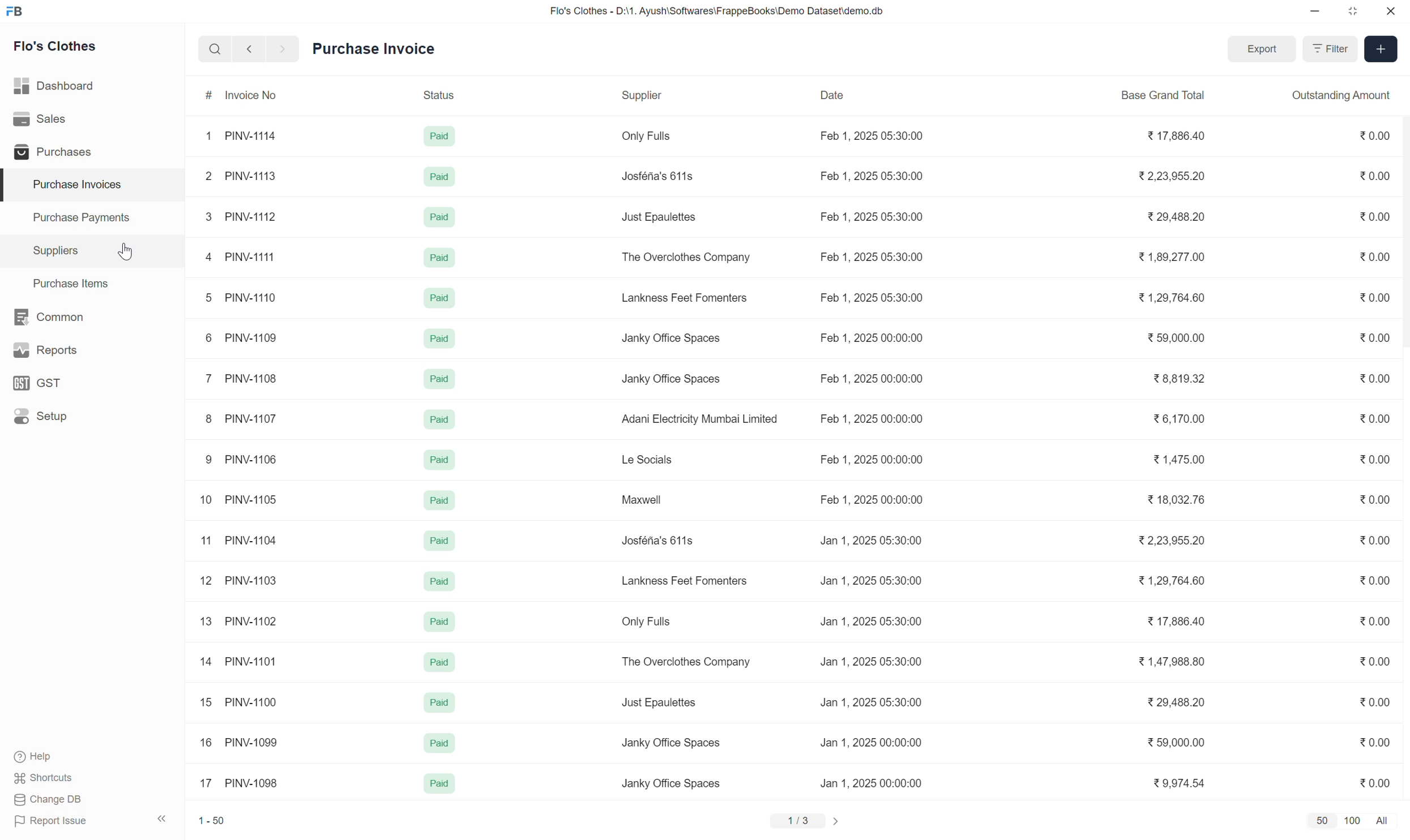 The width and height of the screenshot is (1410, 840). What do you see at coordinates (871, 337) in the screenshot?
I see `Feb 1, 2025 00:00:00` at bounding box center [871, 337].